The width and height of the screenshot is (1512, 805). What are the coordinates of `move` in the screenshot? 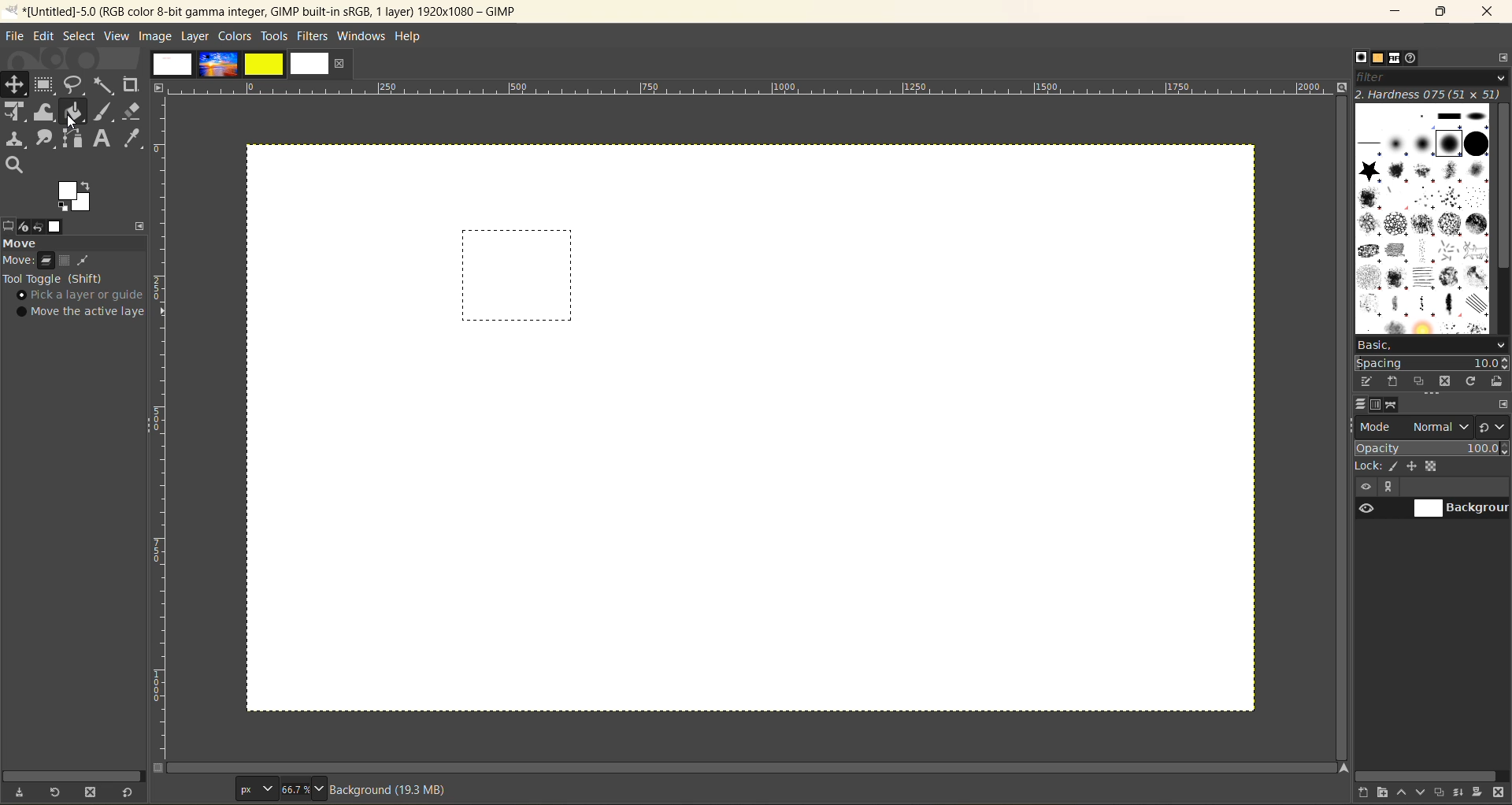 It's located at (70, 253).